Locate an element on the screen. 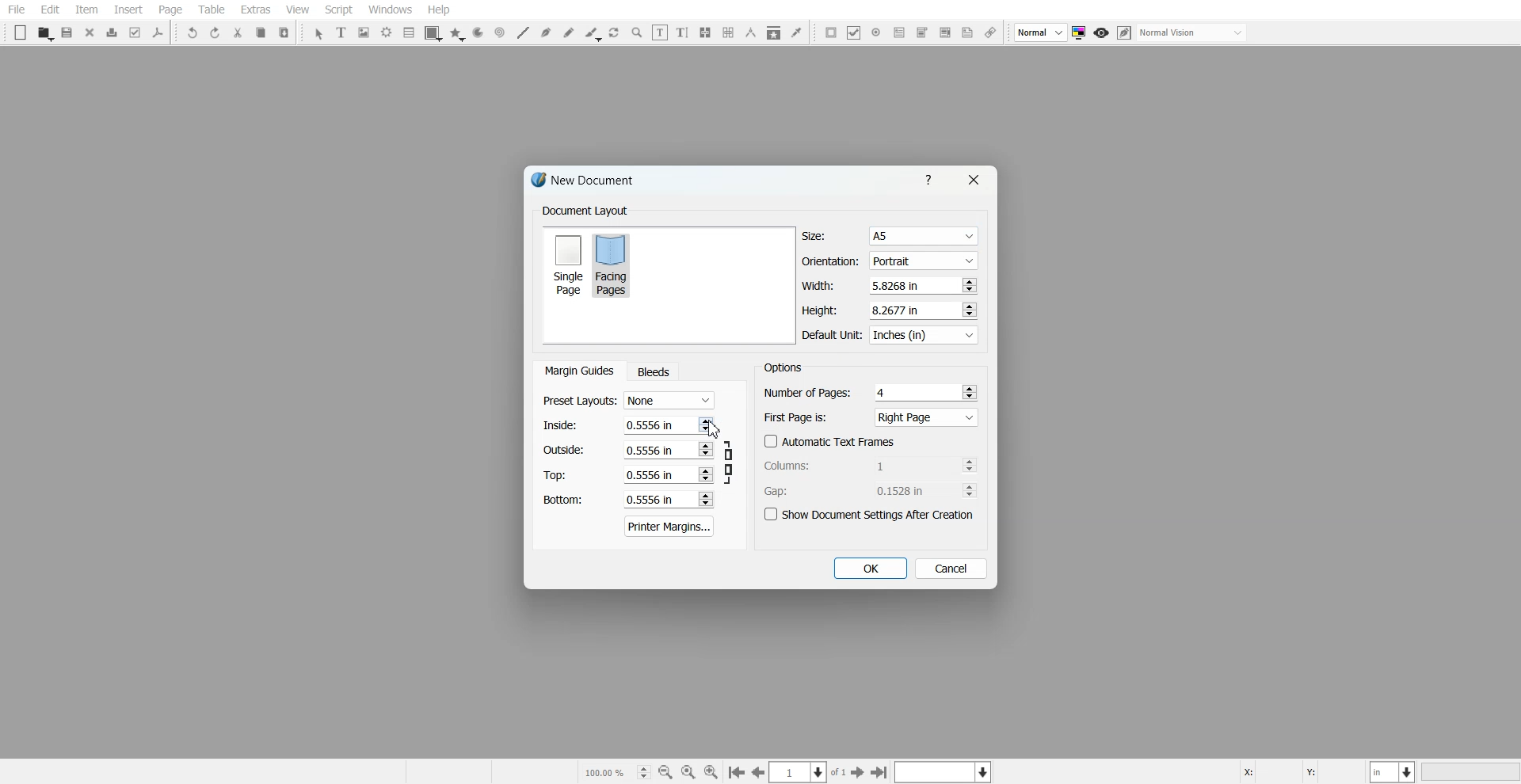 The height and width of the screenshot is (784, 1521). 0.5556 in is located at coordinates (649, 424).